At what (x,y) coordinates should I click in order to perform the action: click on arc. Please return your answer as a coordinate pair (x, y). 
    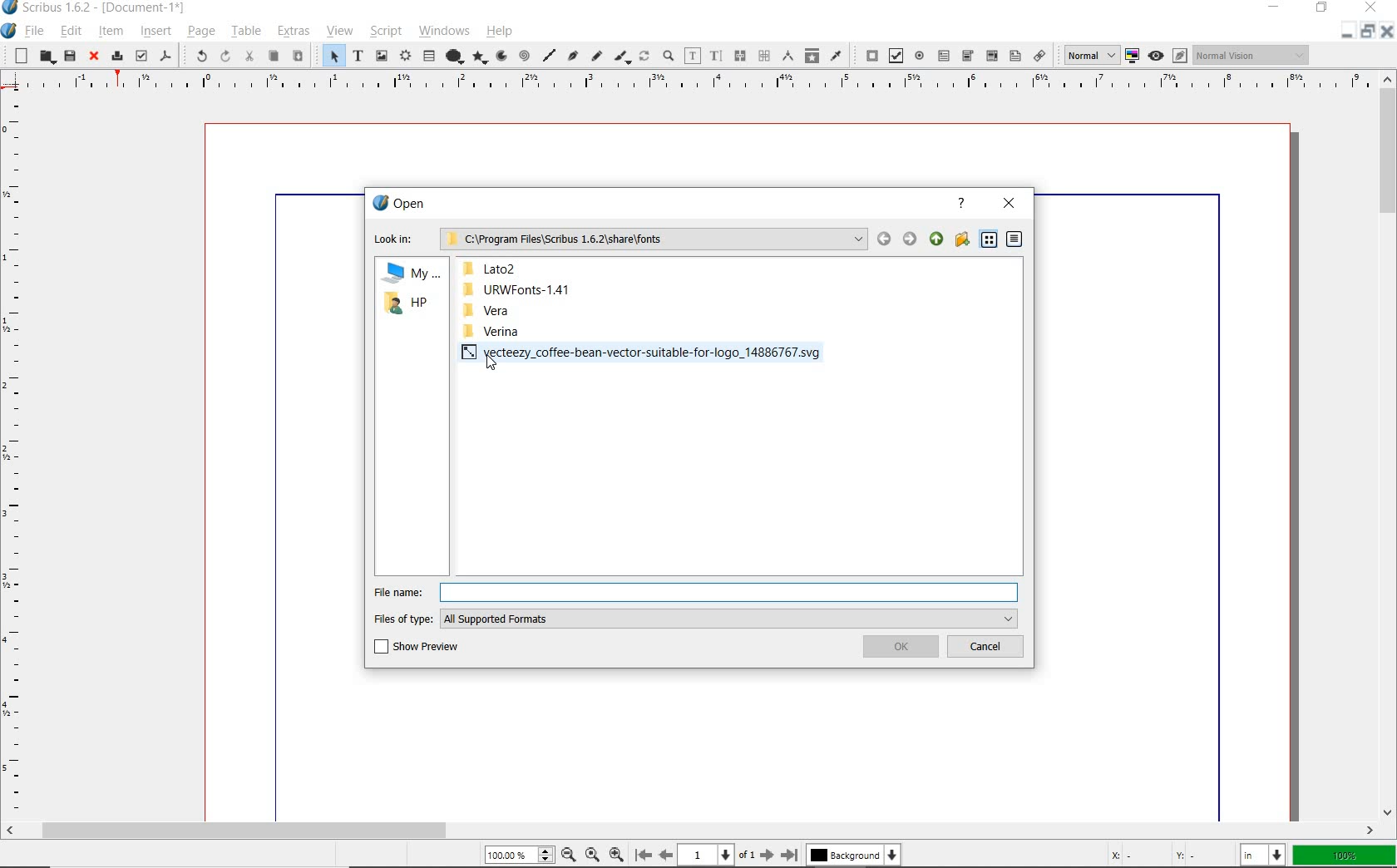
    Looking at the image, I should click on (505, 55).